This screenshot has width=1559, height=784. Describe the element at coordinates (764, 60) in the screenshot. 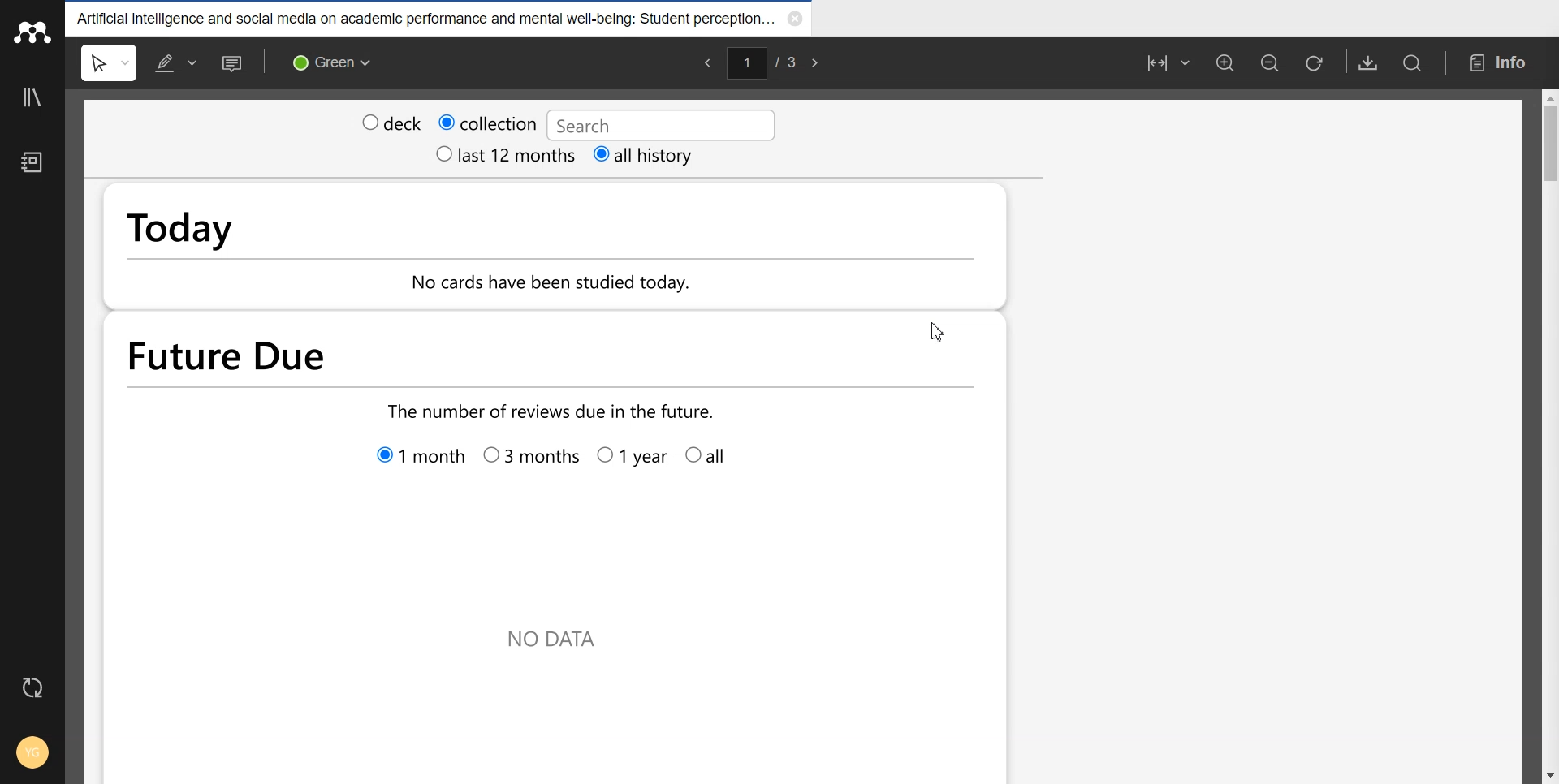

I see `Select current page` at that location.